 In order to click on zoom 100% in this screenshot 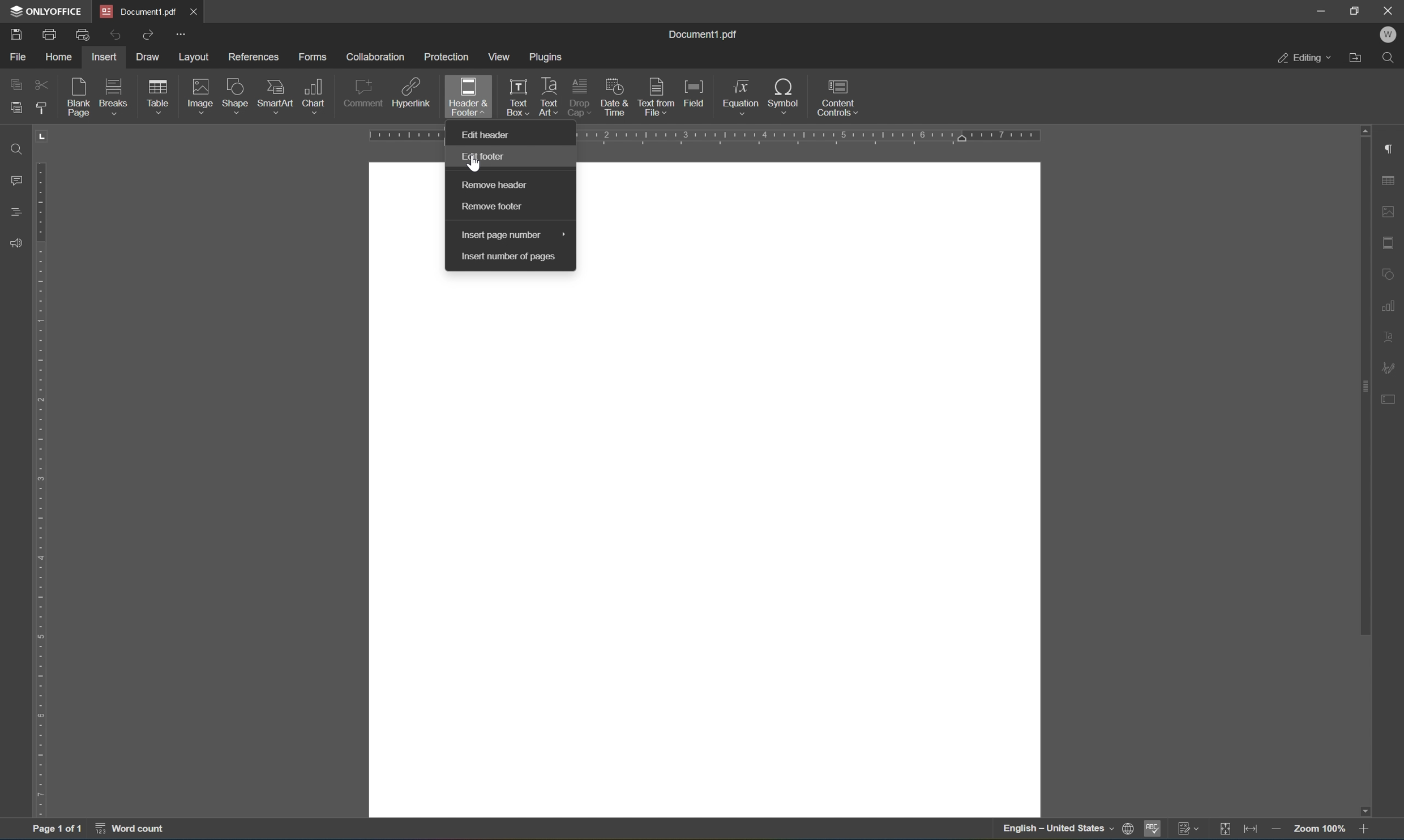, I will do `click(1318, 829)`.